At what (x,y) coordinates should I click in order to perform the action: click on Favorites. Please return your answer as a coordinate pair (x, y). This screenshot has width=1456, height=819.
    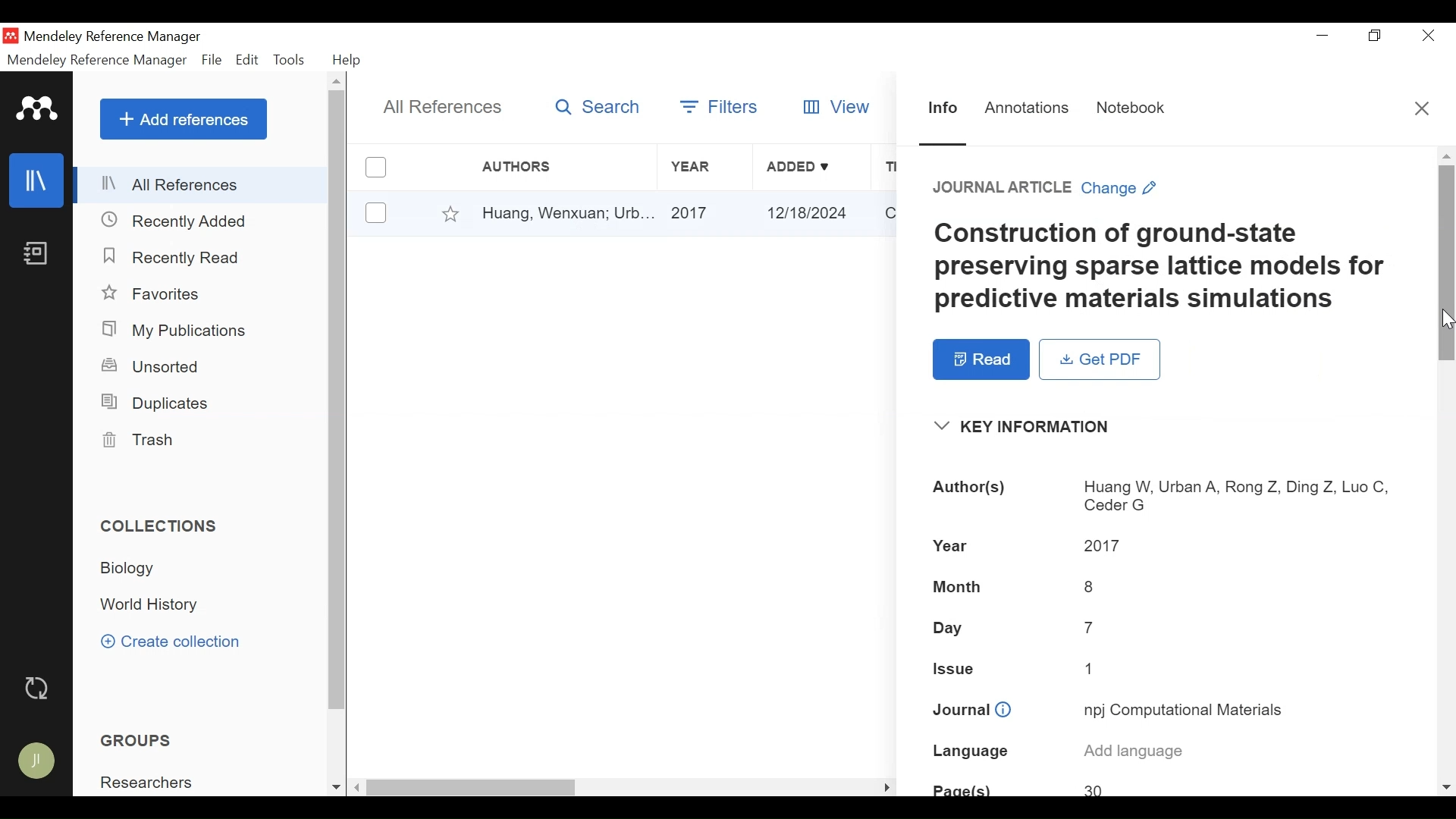
    Looking at the image, I should click on (155, 294).